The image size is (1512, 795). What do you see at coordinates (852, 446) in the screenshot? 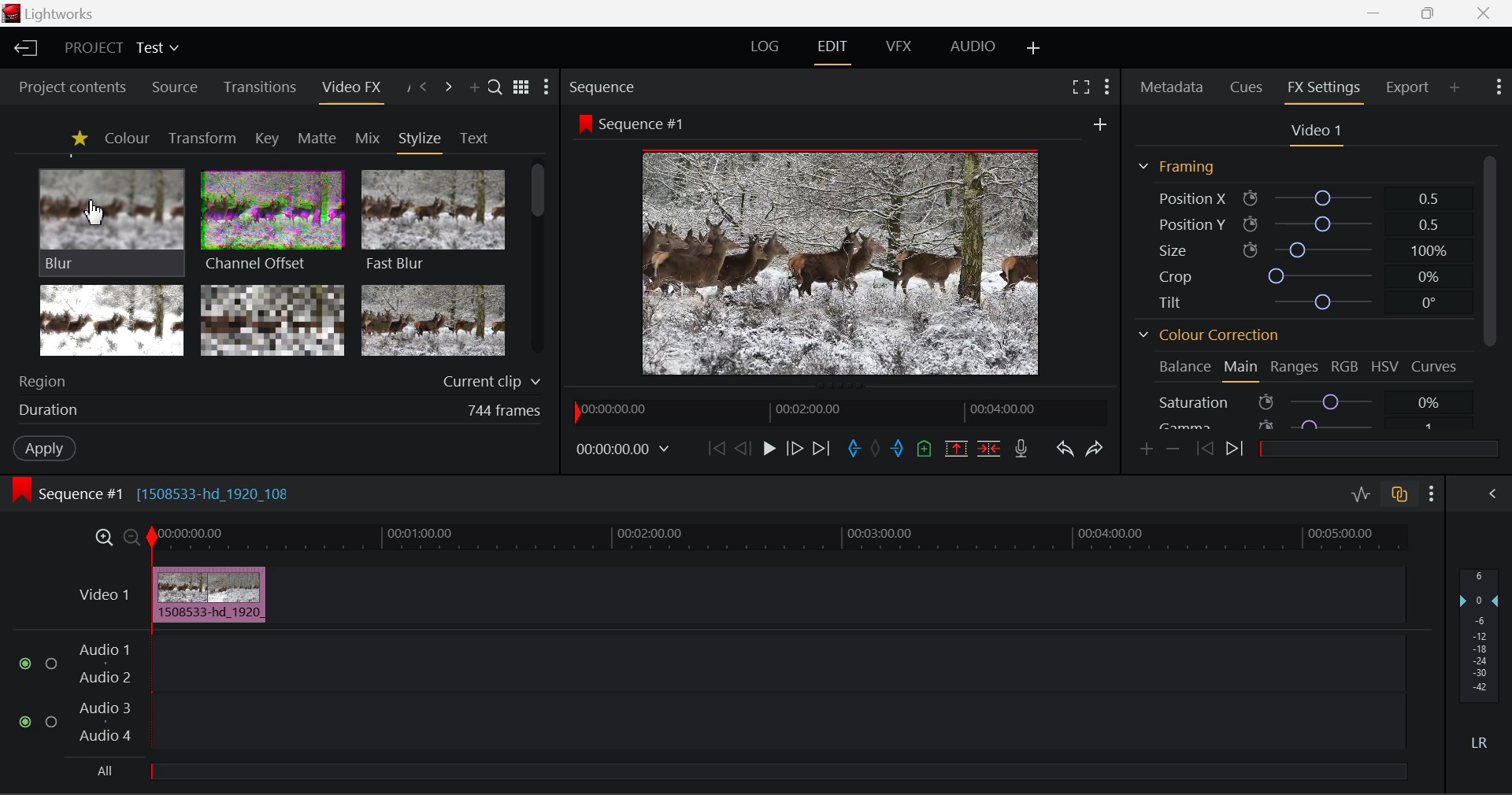
I see `Mark In` at bounding box center [852, 446].